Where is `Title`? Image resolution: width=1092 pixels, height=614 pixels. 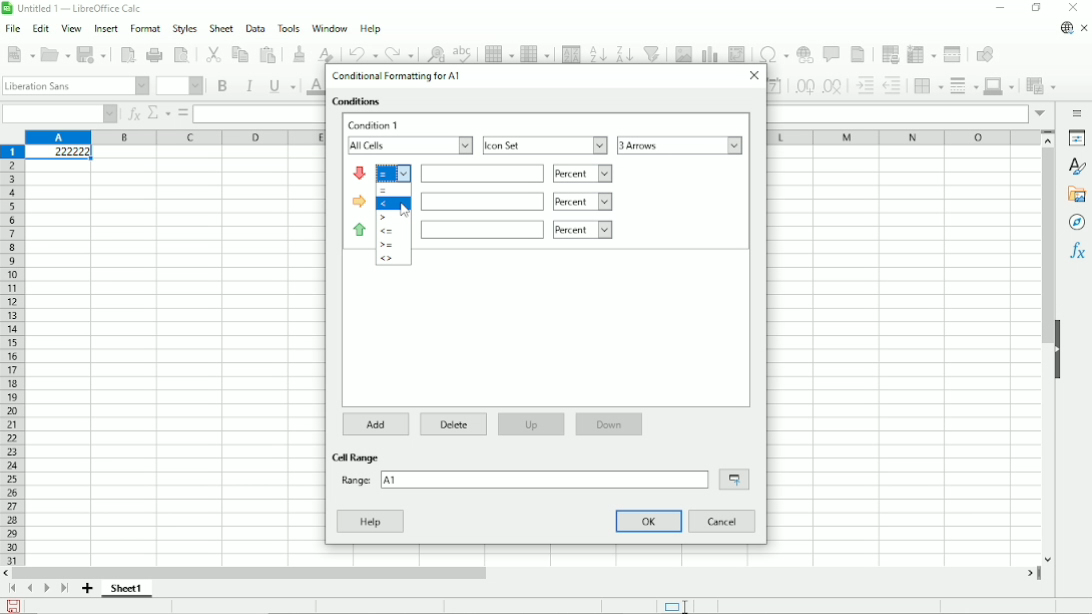
Title is located at coordinates (75, 10).